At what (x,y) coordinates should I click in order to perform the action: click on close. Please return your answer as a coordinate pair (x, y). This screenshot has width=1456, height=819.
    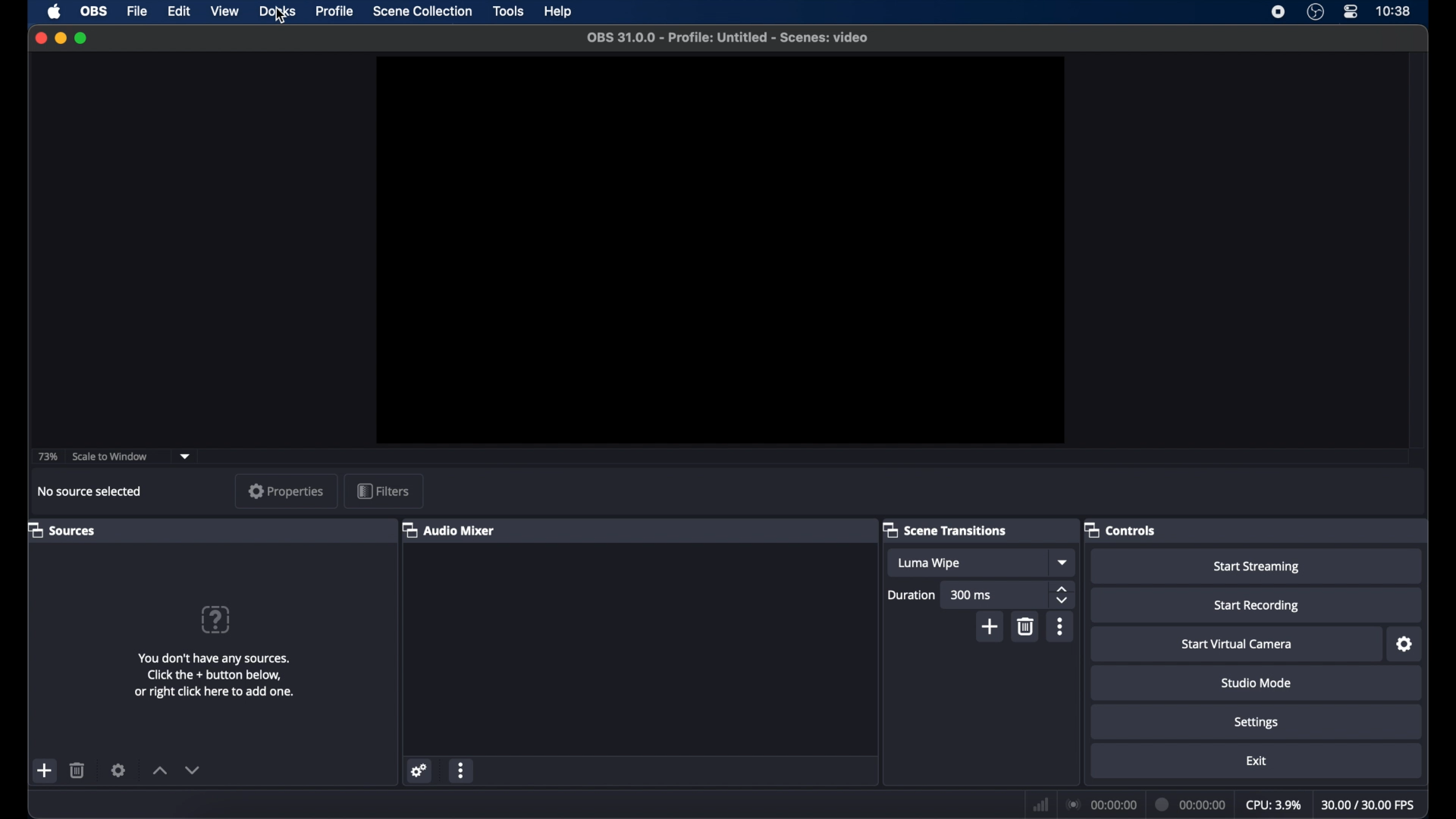
    Looking at the image, I should click on (40, 37).